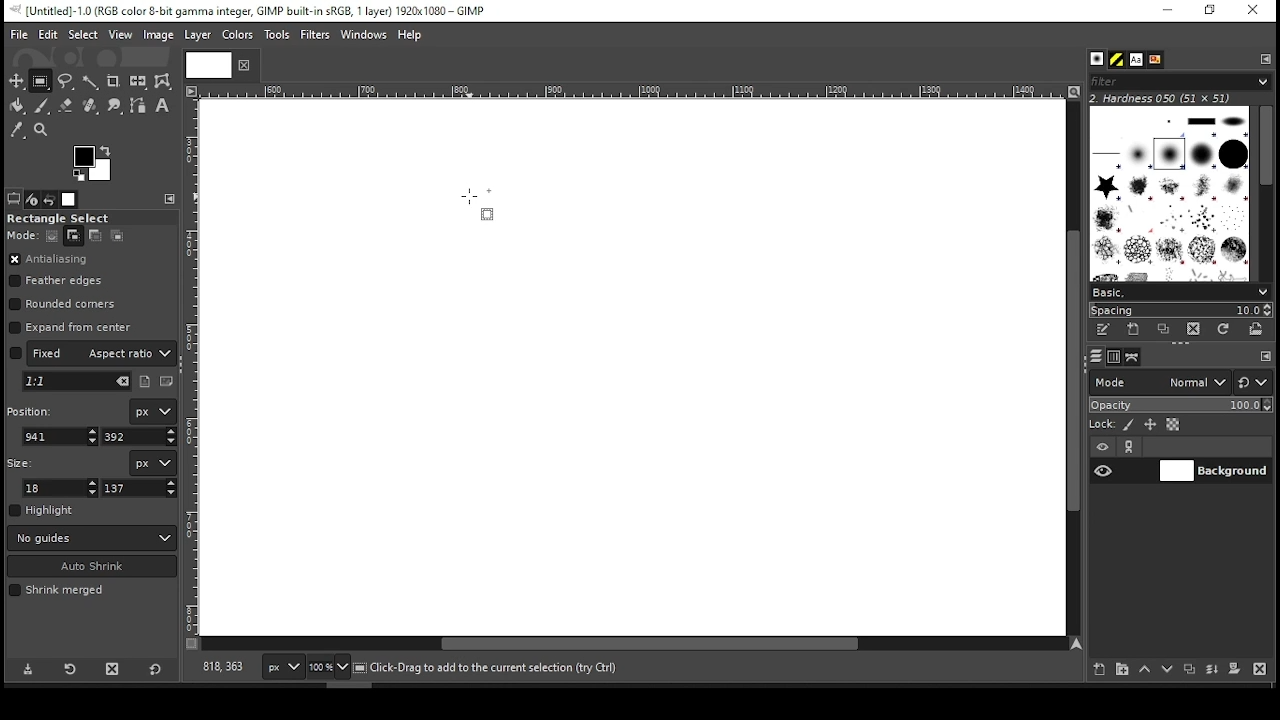  Describe the element at coordinates (1257, 329) in the screenshot. I see `open brush as image` at that location.